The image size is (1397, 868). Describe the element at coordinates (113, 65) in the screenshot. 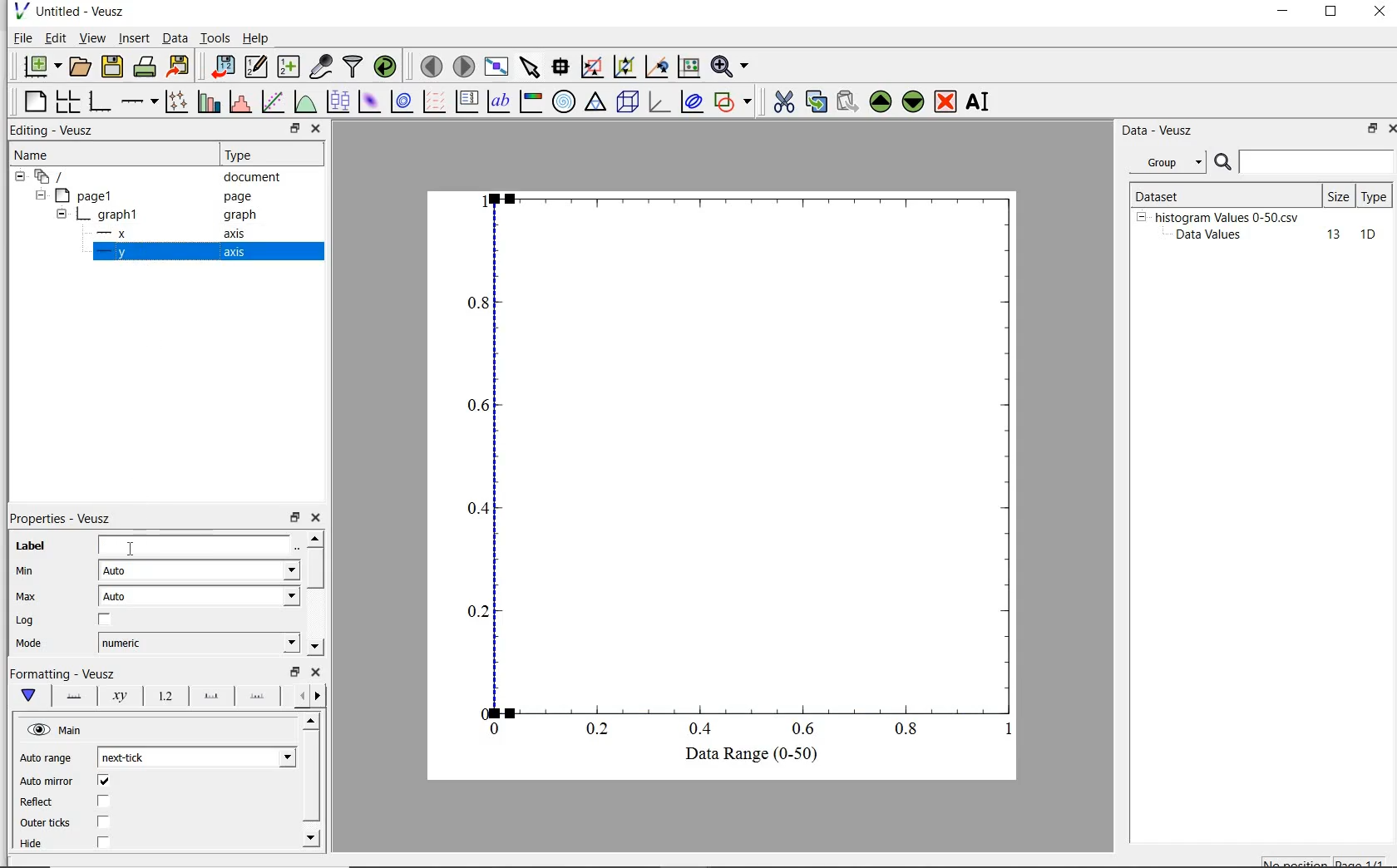

I see `save` at that location.